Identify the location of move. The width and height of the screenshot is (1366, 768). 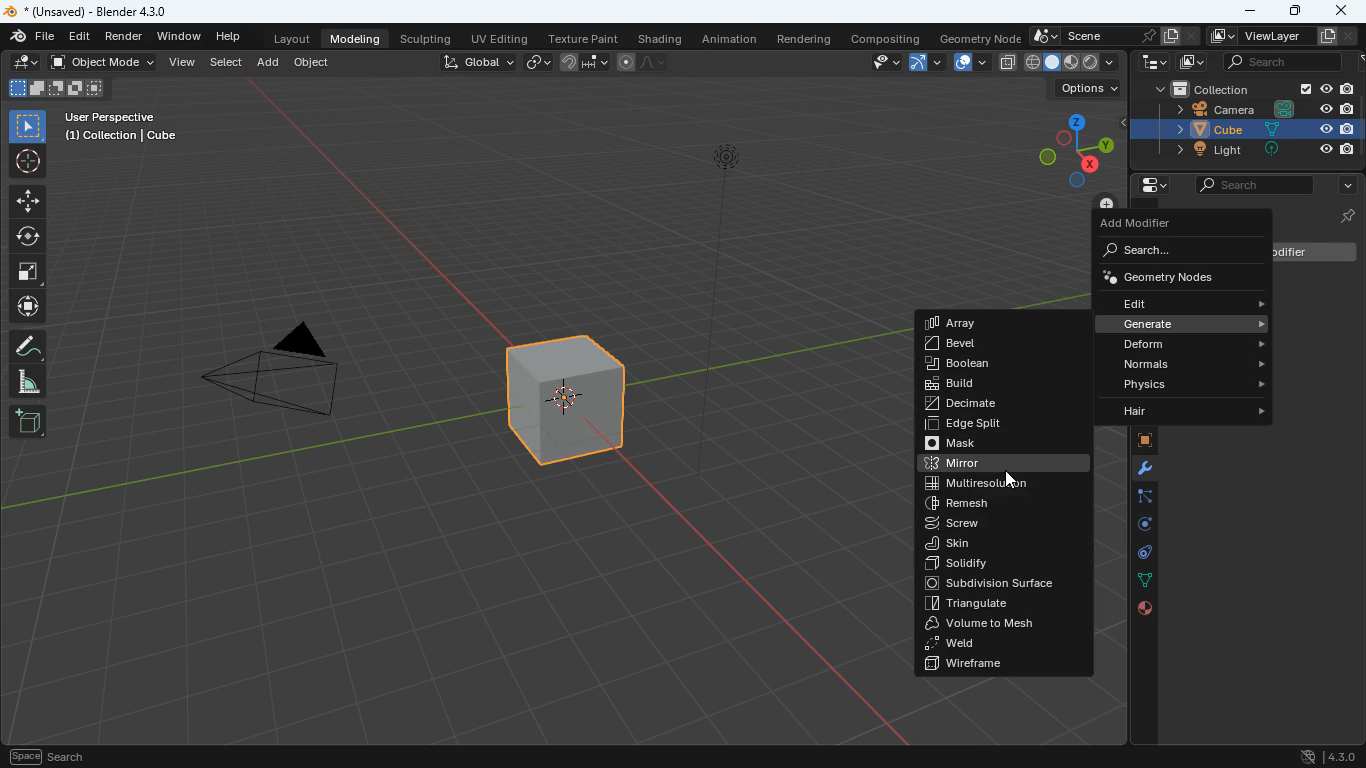
(29, 201).